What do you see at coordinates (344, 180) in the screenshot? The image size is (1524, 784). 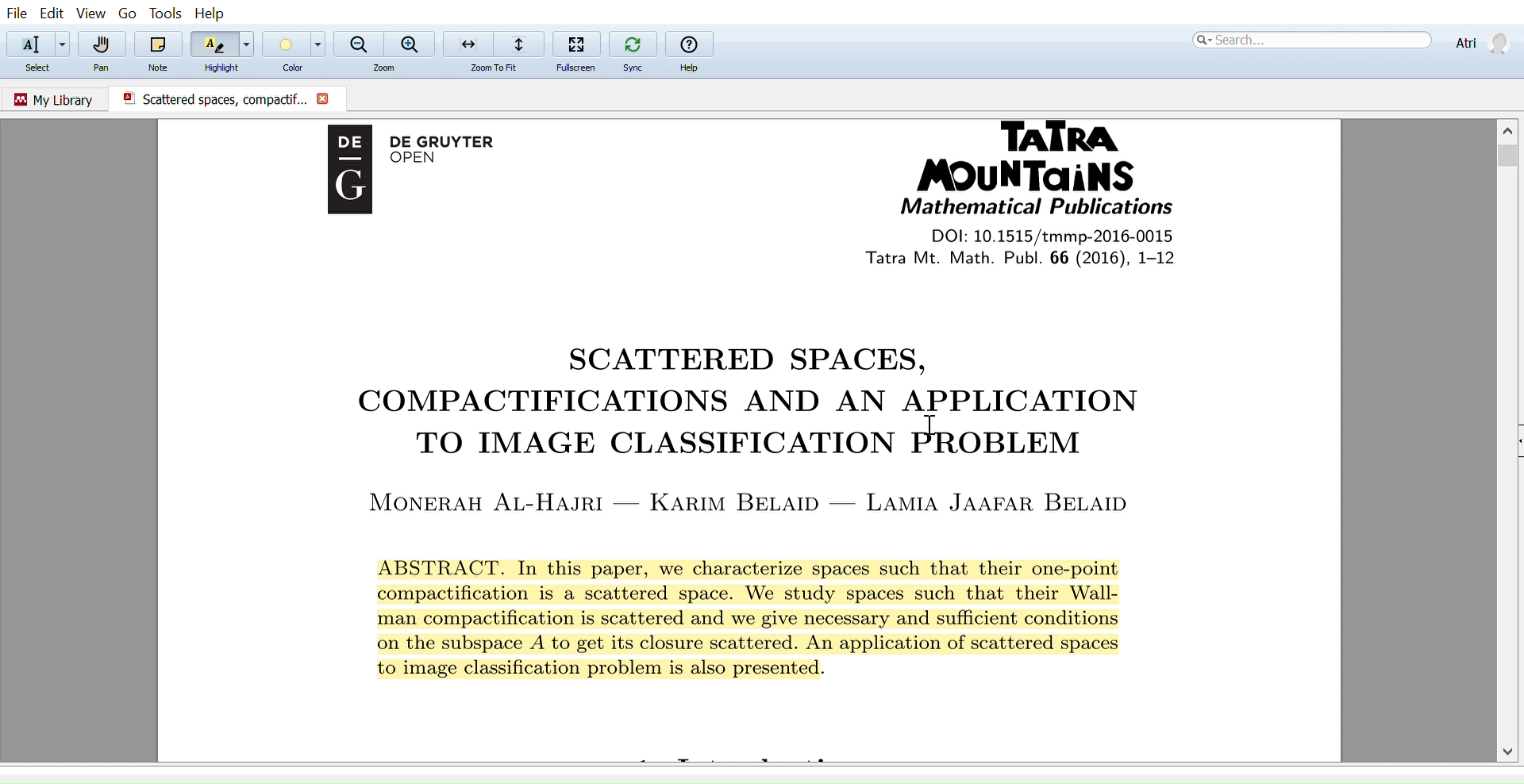 I see `Logo` at bounding box center [344, 180].